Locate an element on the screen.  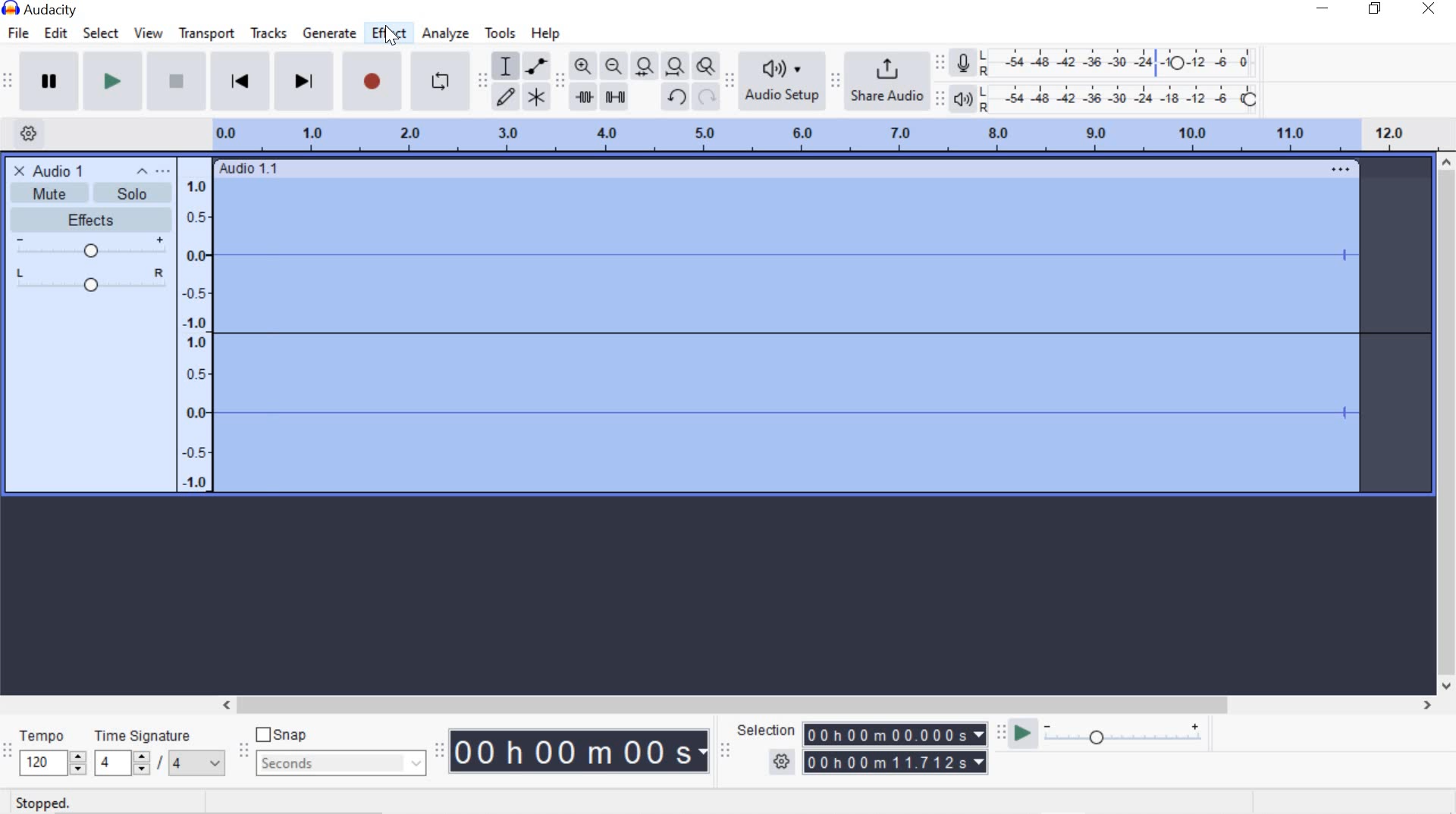
Draw tool is located at coordinates (505, 95).